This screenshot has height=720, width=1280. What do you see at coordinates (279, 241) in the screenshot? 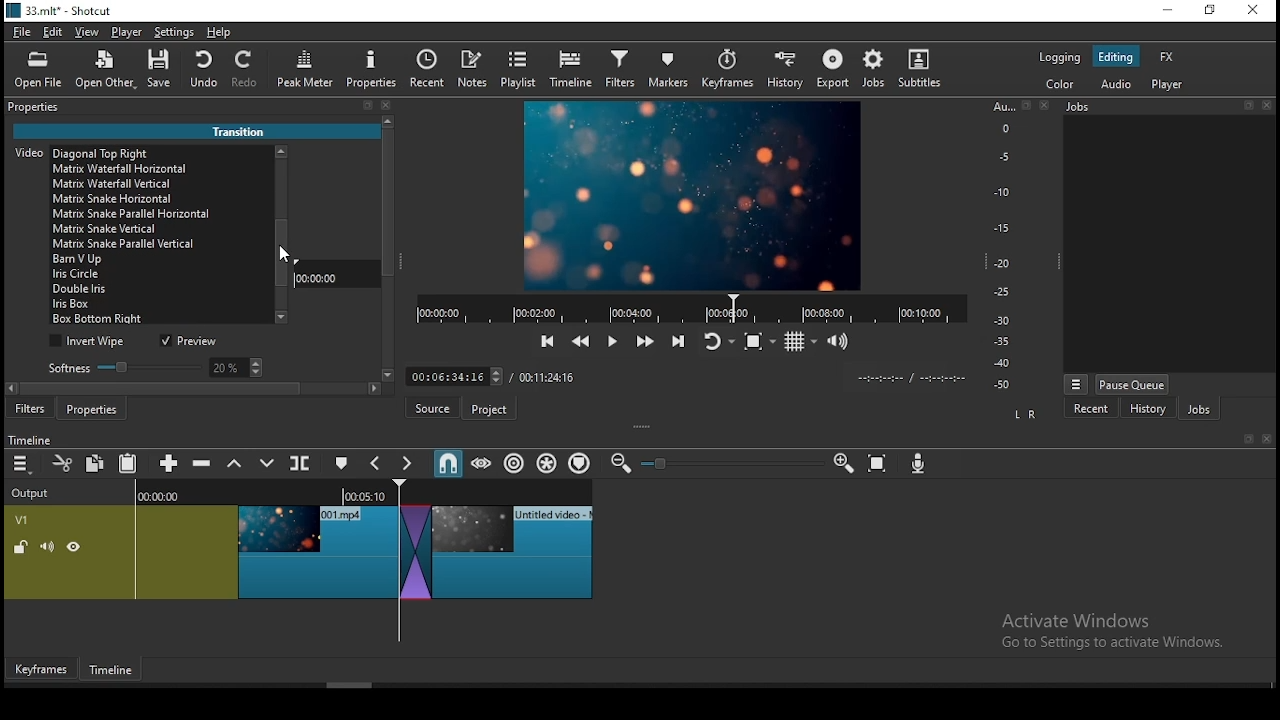
I see `scroll bar` at bounding box center [279, 241].